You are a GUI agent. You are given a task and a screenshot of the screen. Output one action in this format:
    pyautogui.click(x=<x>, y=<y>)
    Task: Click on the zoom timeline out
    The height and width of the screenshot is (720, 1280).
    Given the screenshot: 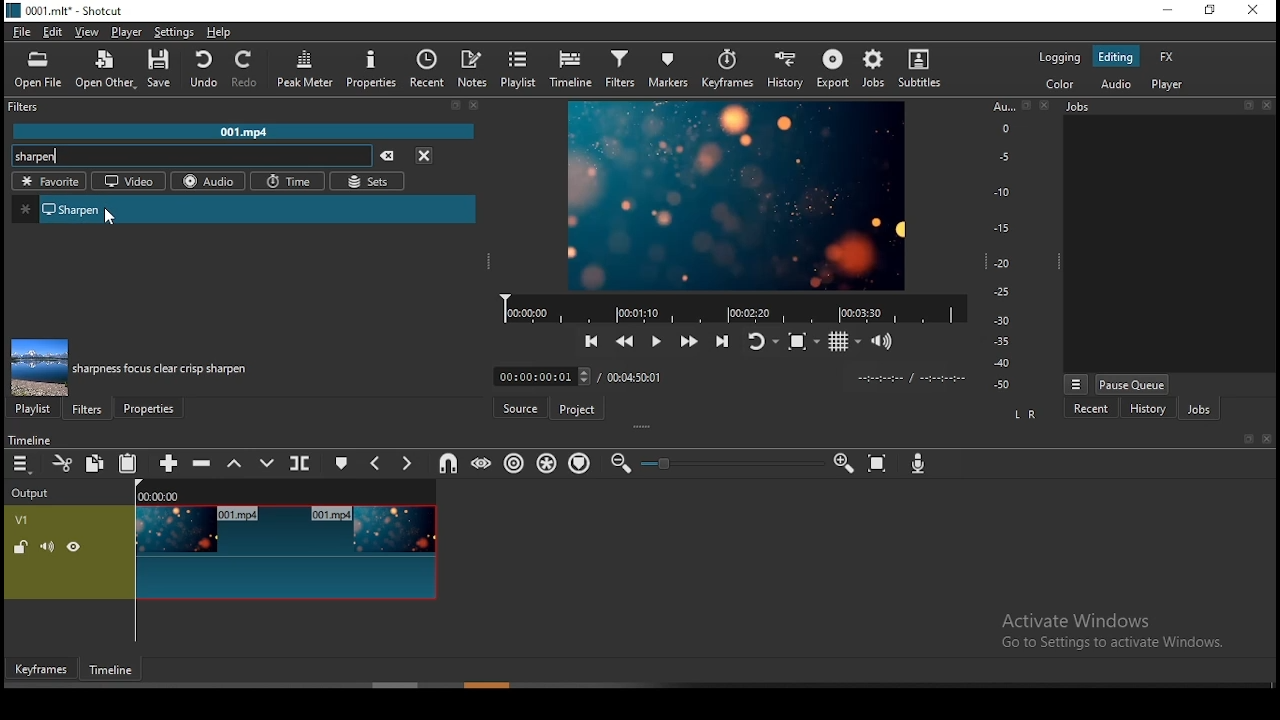 What is the action you would take?
    pyautogui.click(x=620, y=464)
    